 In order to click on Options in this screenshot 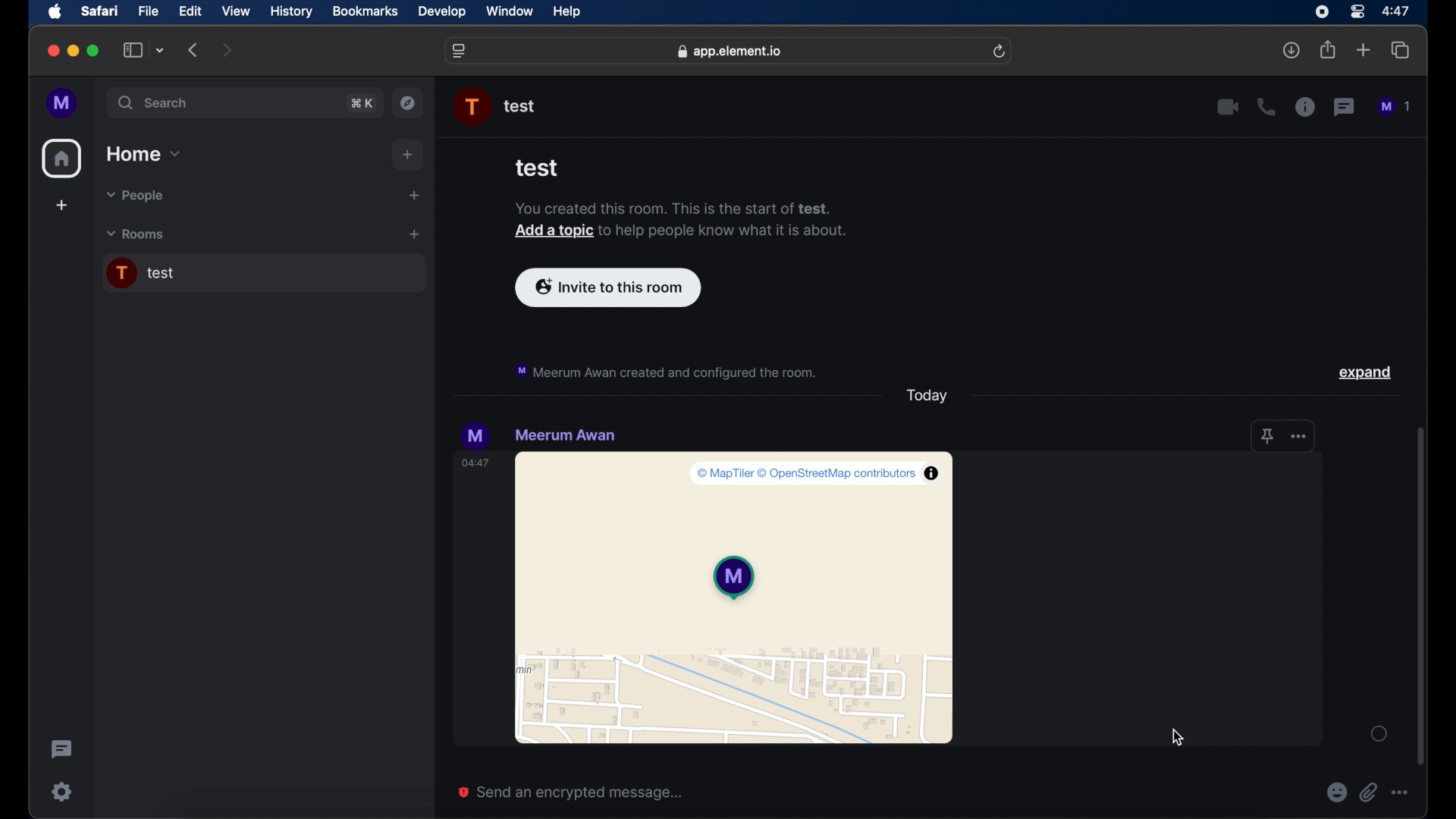, I will do `click(1404, 792)`.